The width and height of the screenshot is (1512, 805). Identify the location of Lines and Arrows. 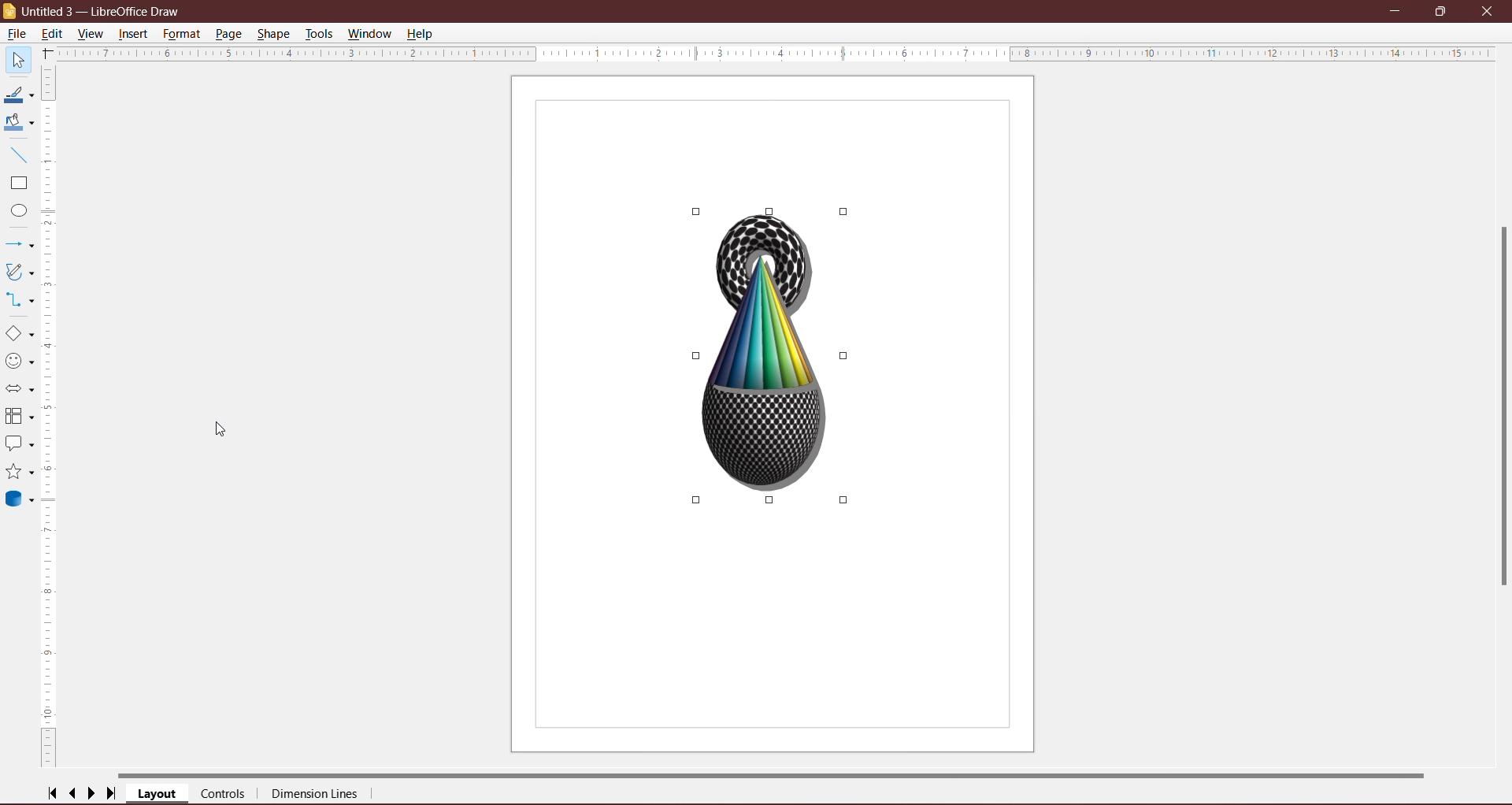
(20, 244).